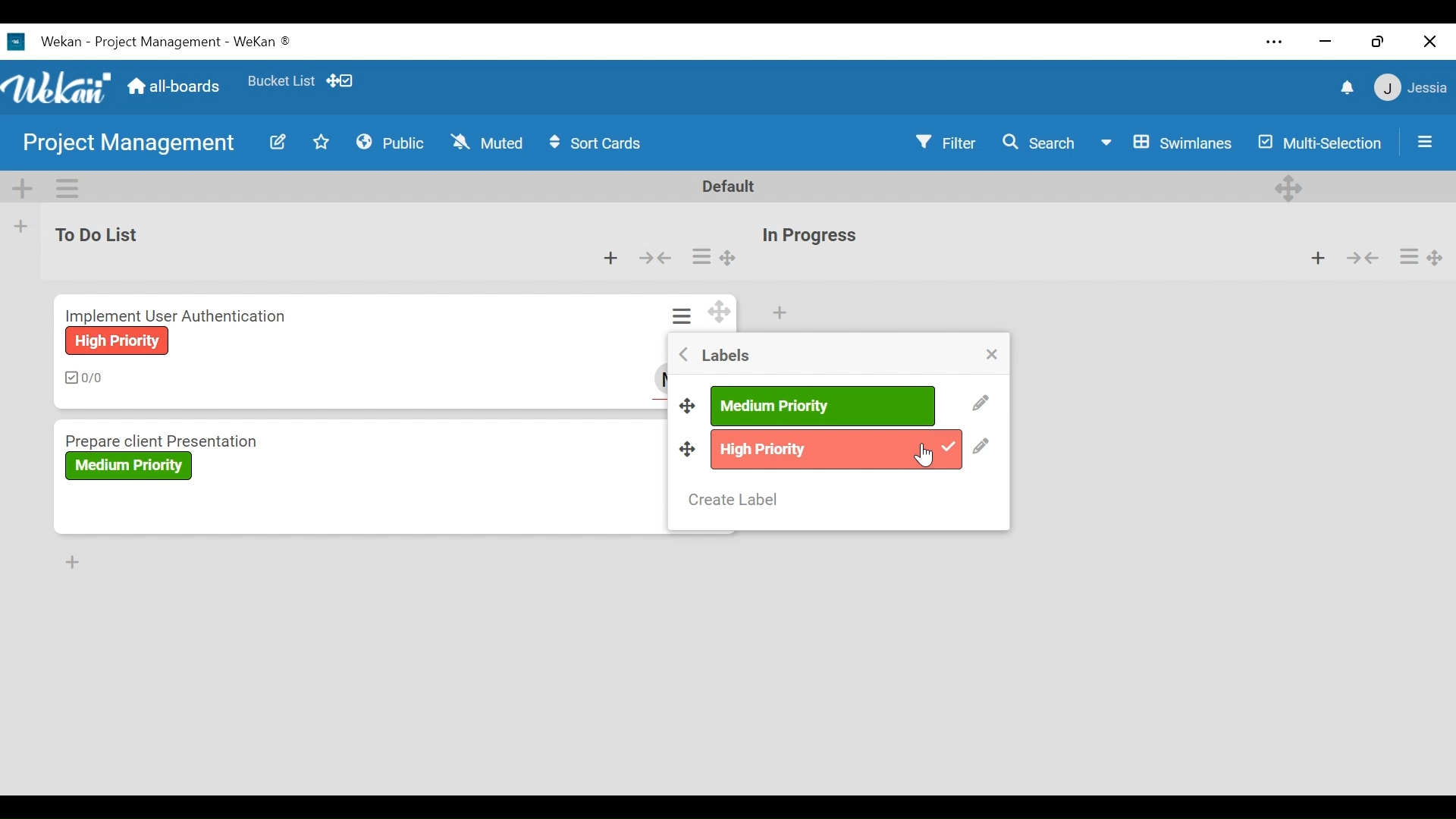 The image size is (1456, 819). I want to click on Collapse, so click(654, 259).